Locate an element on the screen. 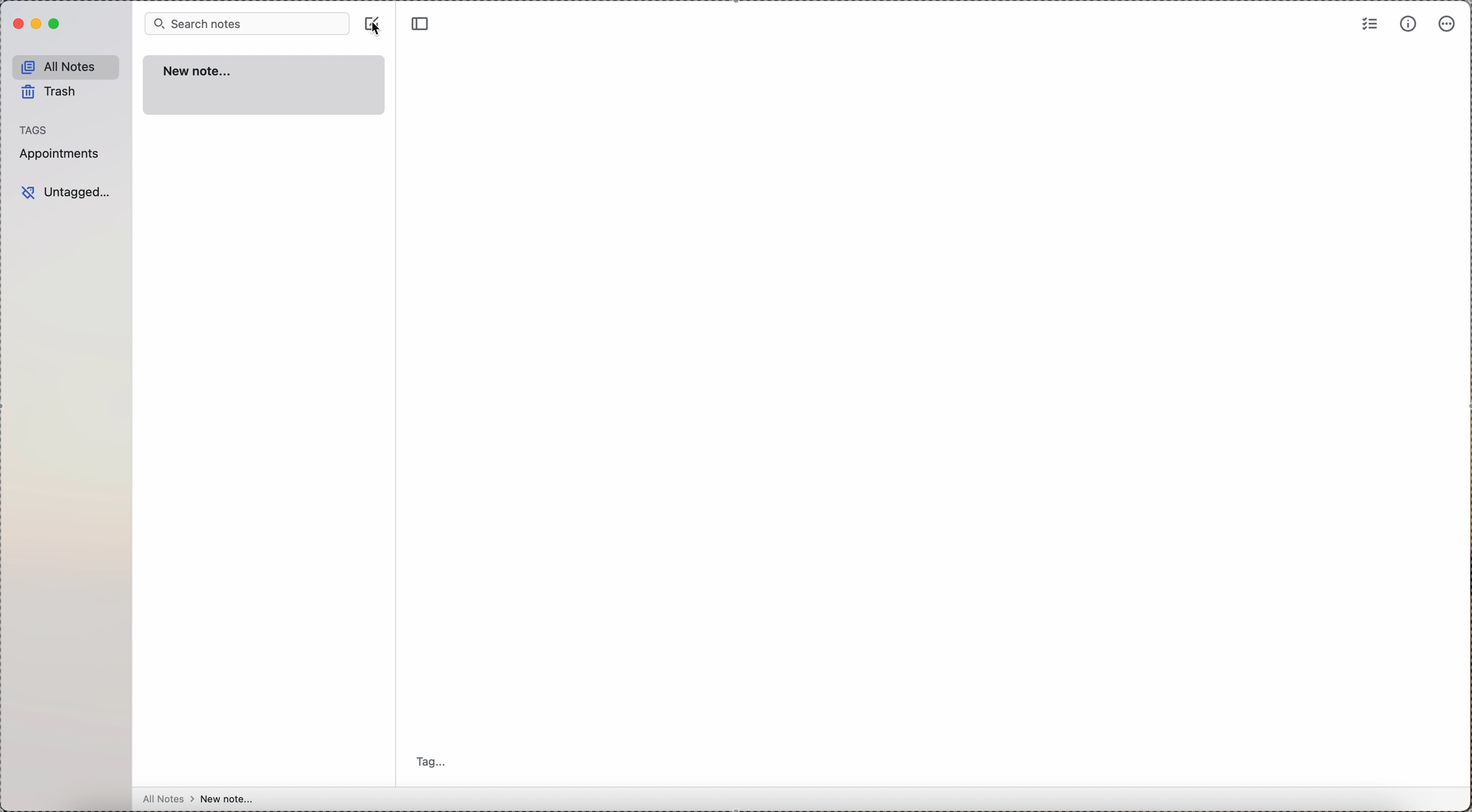 This screenshot has height=812, width=1472. create note is located at coordinates (371, 19).